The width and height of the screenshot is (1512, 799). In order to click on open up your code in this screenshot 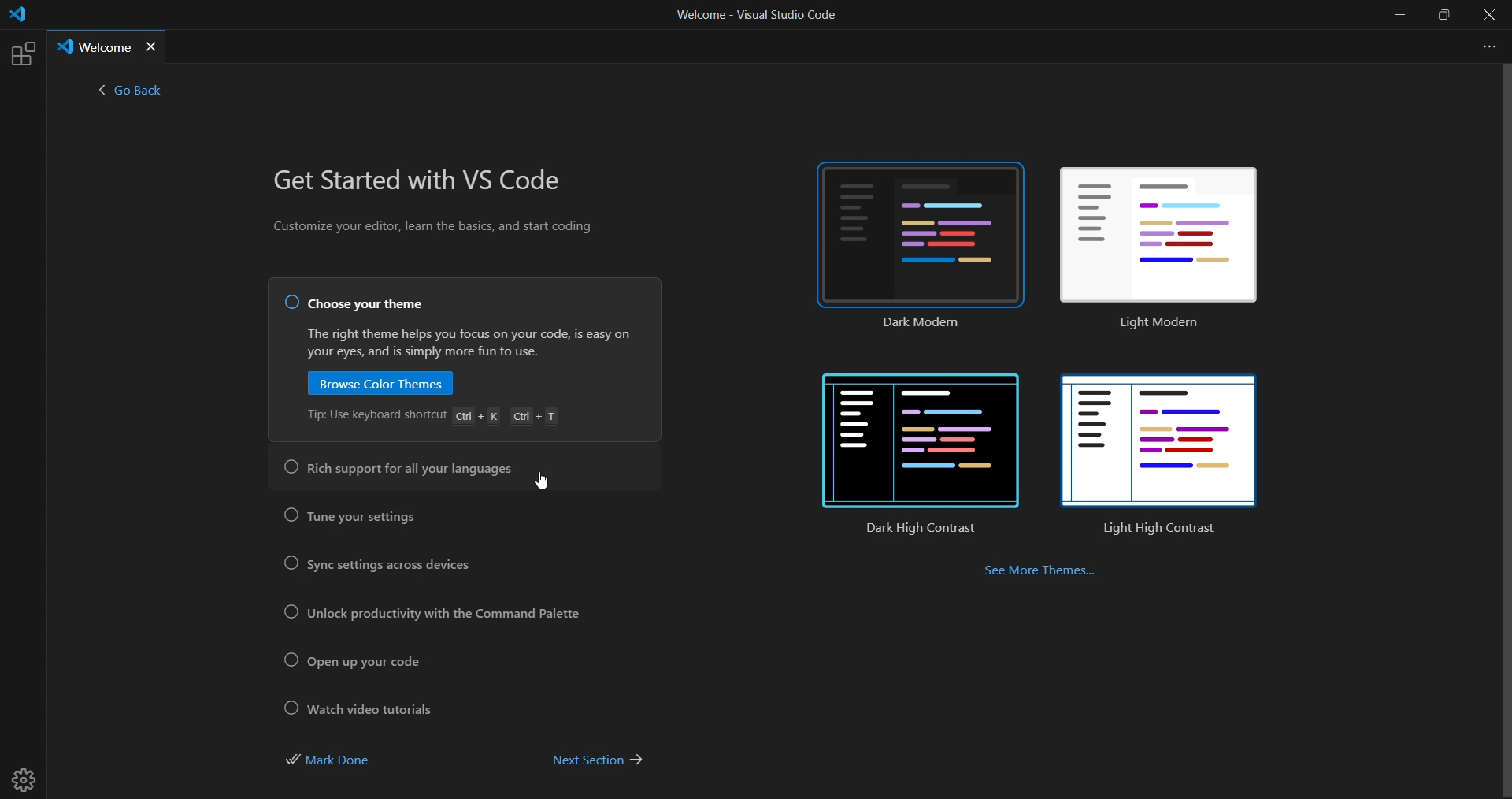, I will do `click(359, 663)`.